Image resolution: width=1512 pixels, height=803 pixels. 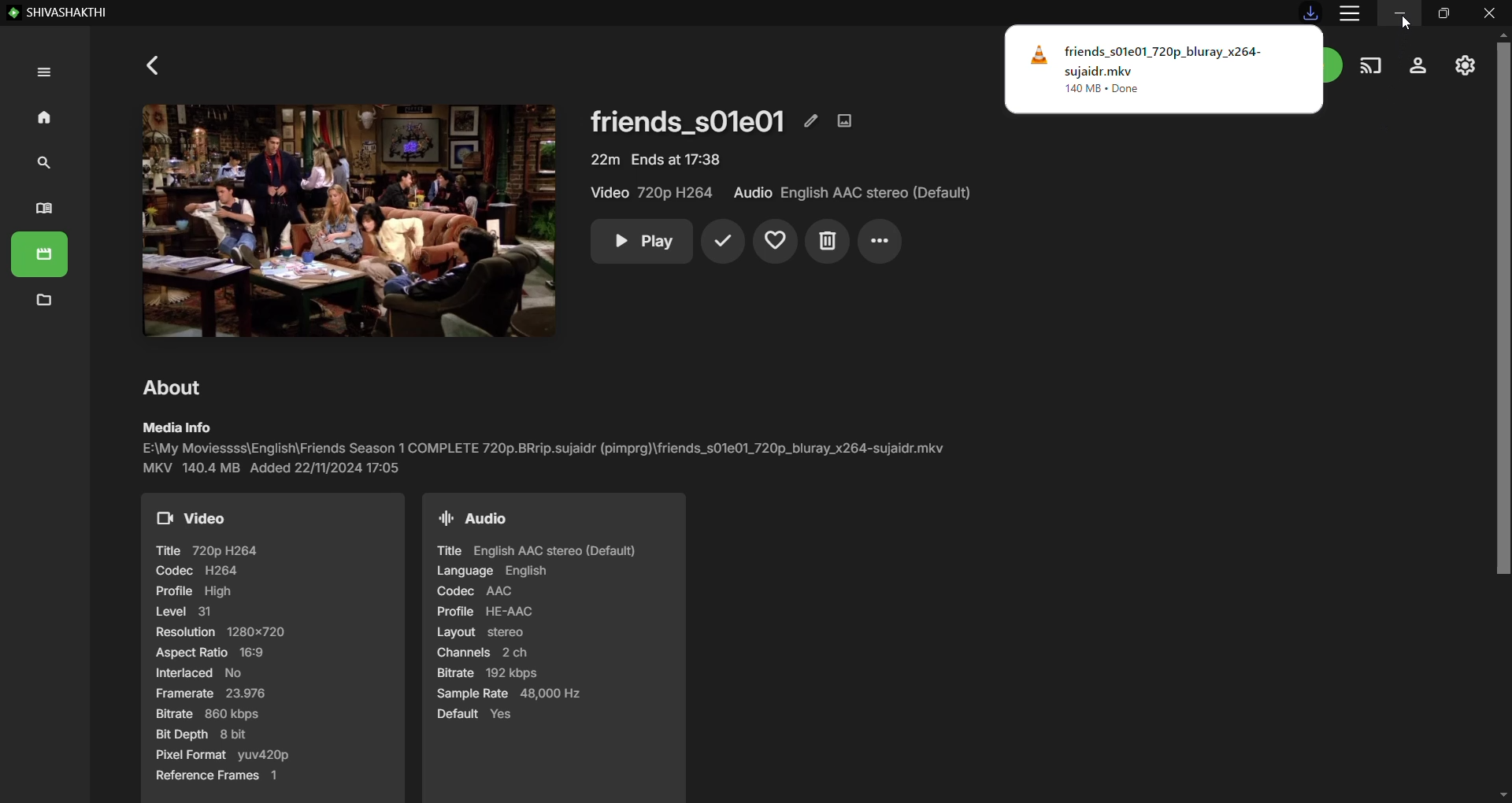 I want to click on SHIVASHAKTHI - Emby App Server Name, so click(x=58, y=13).